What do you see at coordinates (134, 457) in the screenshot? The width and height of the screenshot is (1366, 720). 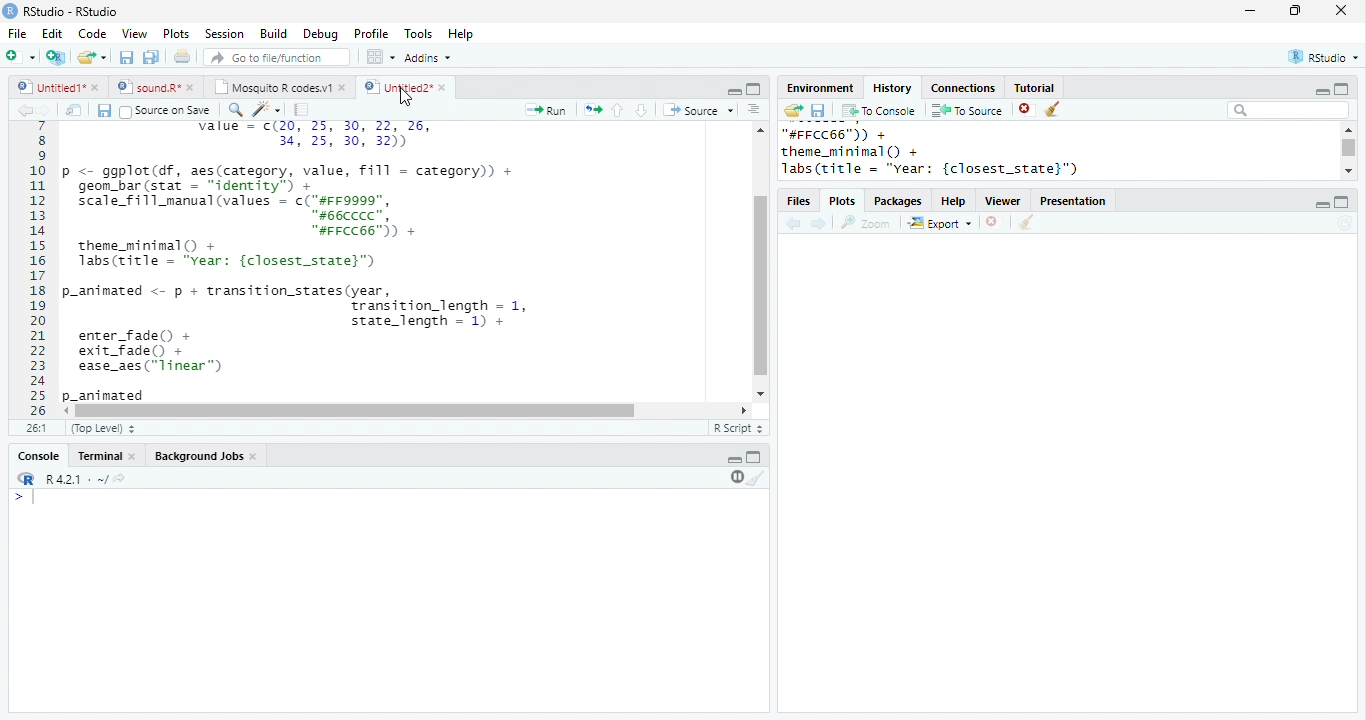 I see `close` at bounding box center [134, 457].